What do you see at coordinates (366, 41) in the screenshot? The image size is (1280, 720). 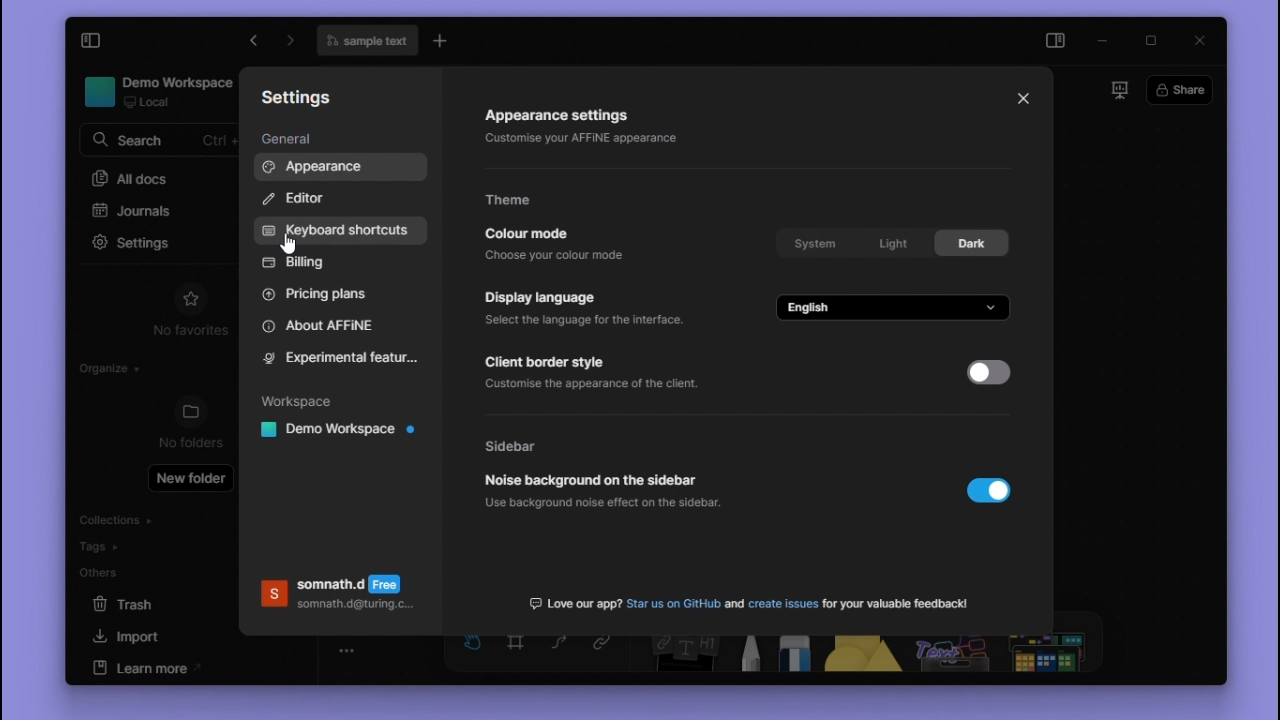 I see `filename text` at bounding box center [366, 41].